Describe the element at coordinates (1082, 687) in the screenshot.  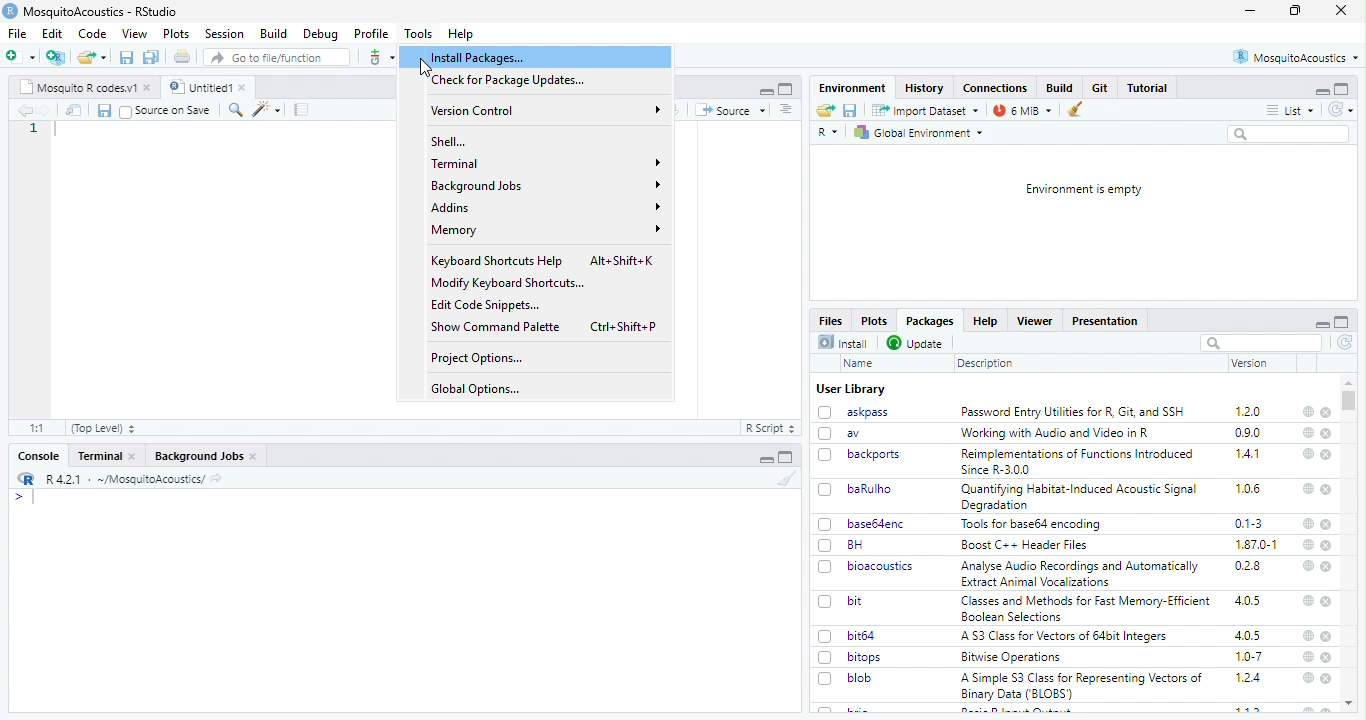
I see `A Simple S3 Class for Representing Vectors of
Binary Data (BLOBS)` at that location.